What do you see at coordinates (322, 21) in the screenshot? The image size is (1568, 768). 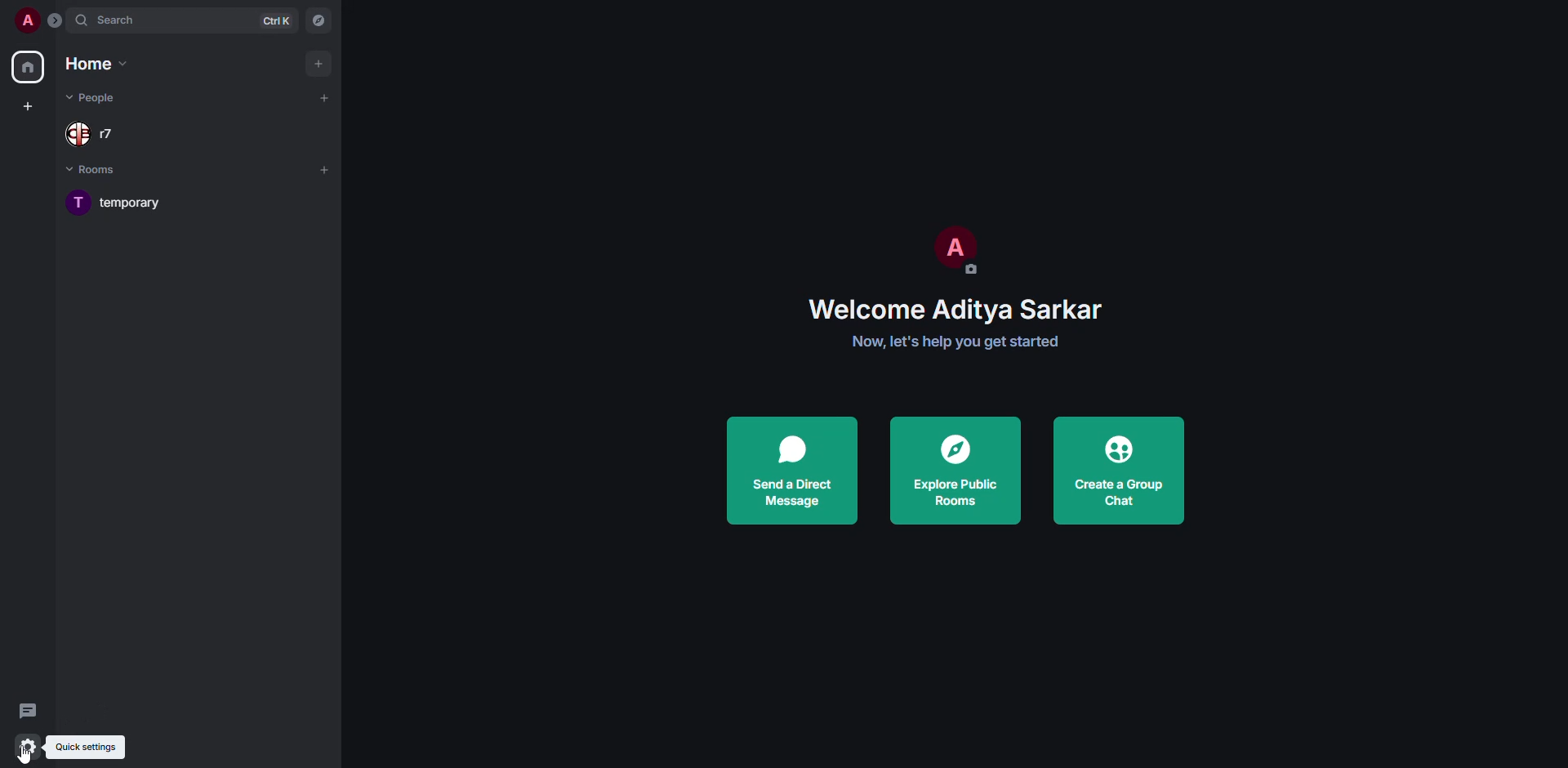 I see `navigator` at bounding box center [322, 21].